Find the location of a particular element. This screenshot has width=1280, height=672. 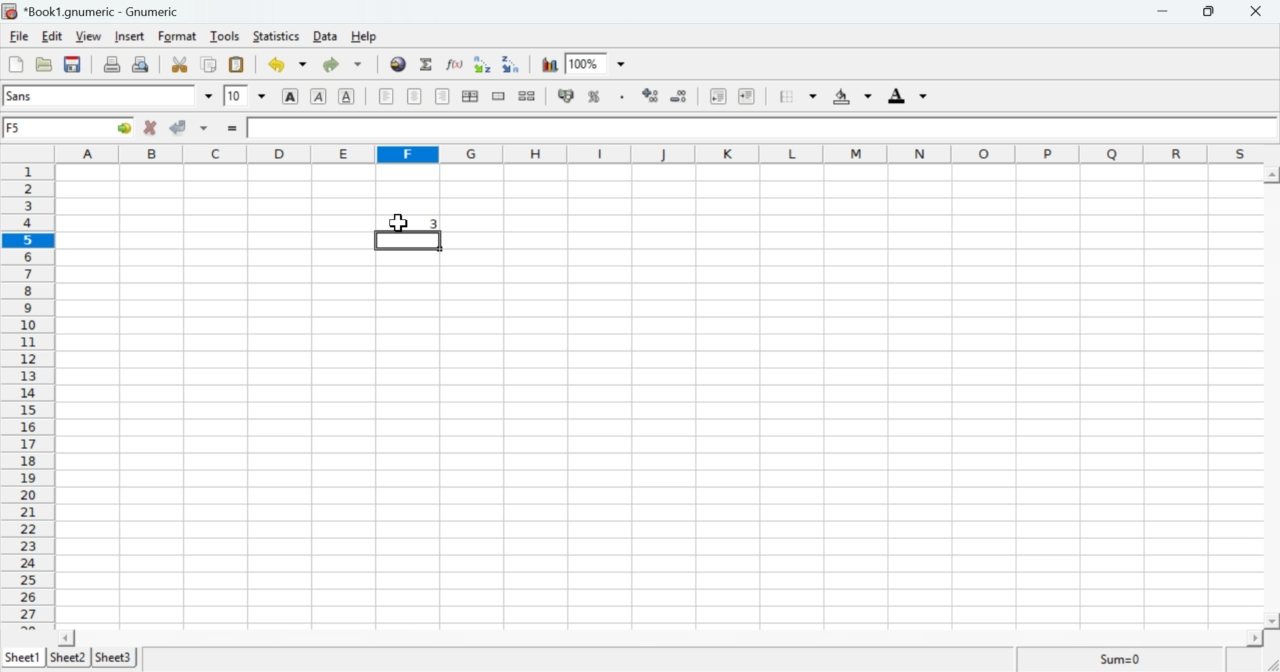

Underline is located at coordinates (347, 97).